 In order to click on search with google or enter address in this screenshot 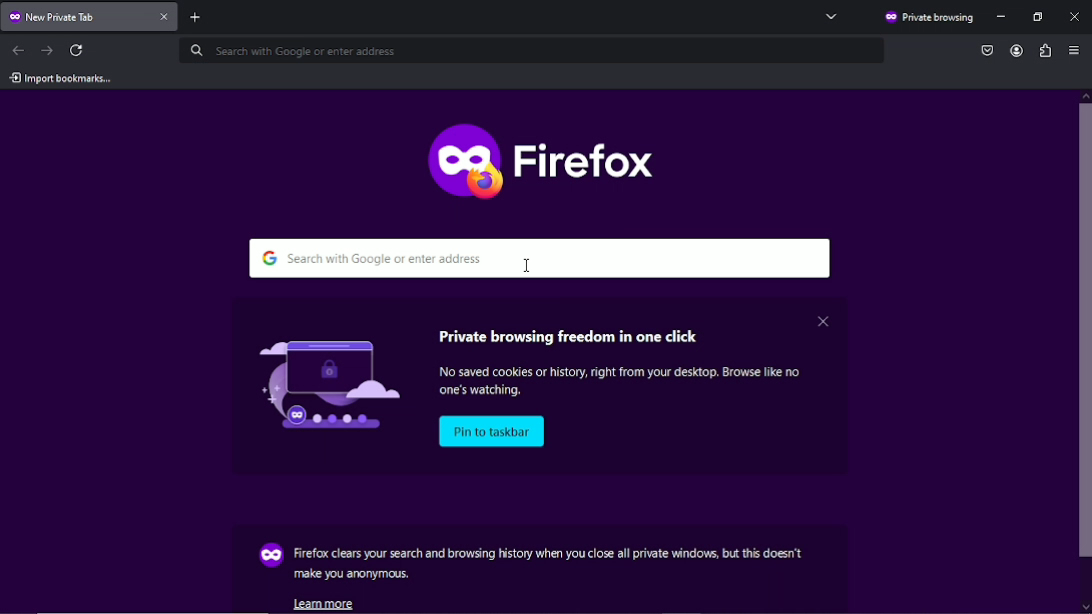, I will do `click(530, 52)`.